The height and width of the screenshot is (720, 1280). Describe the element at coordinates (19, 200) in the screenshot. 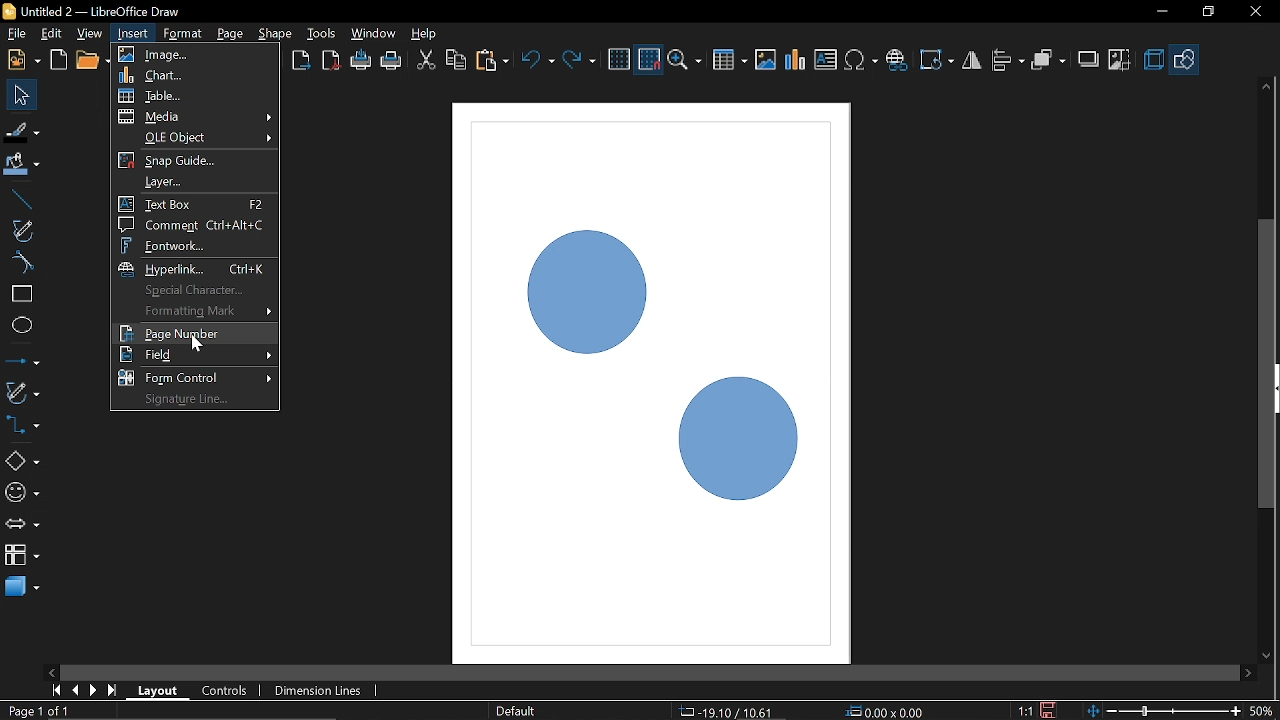

I see `Line` at that location.